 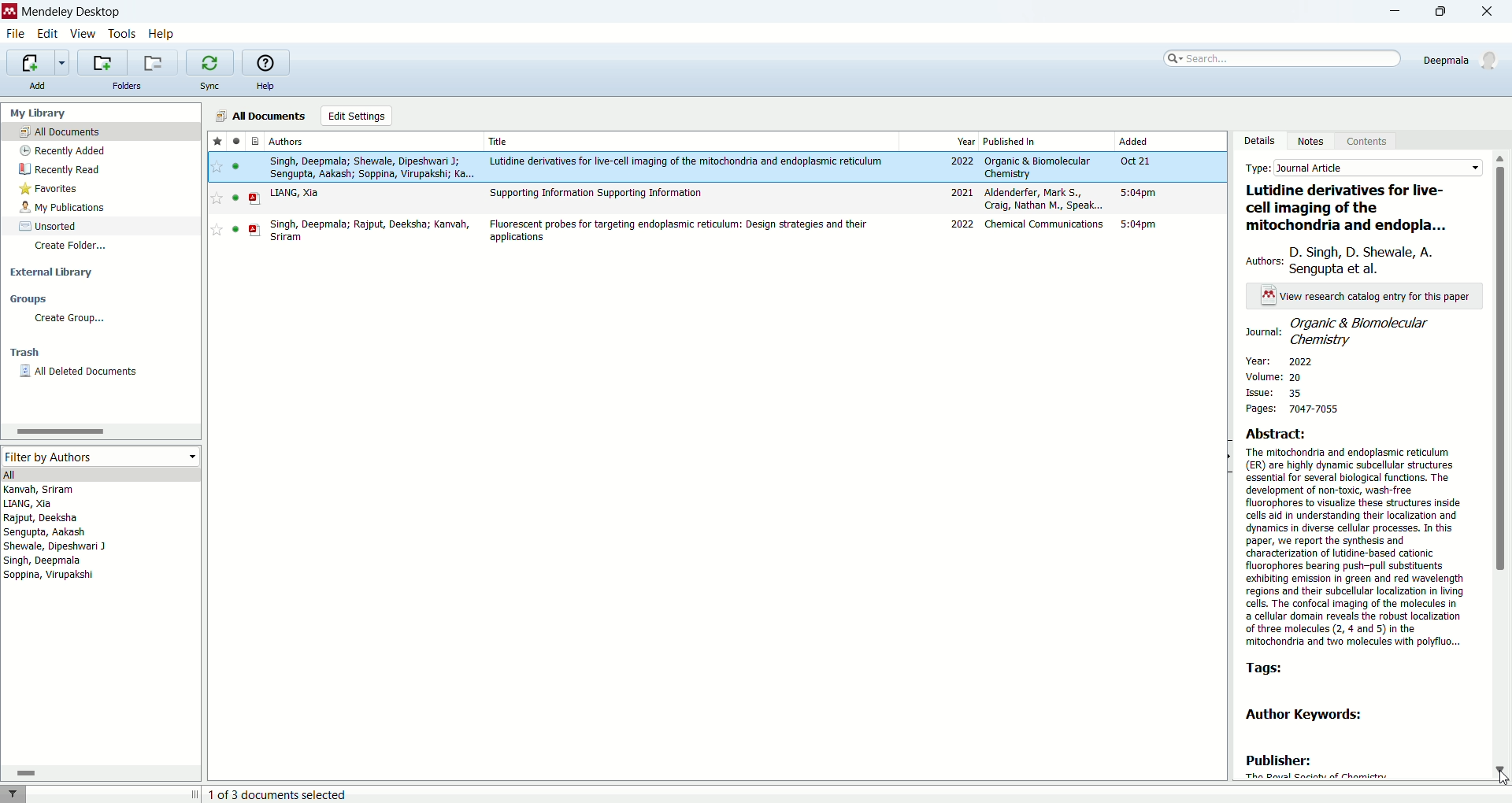 I want to click on PDF, so click(x=255, y=230).